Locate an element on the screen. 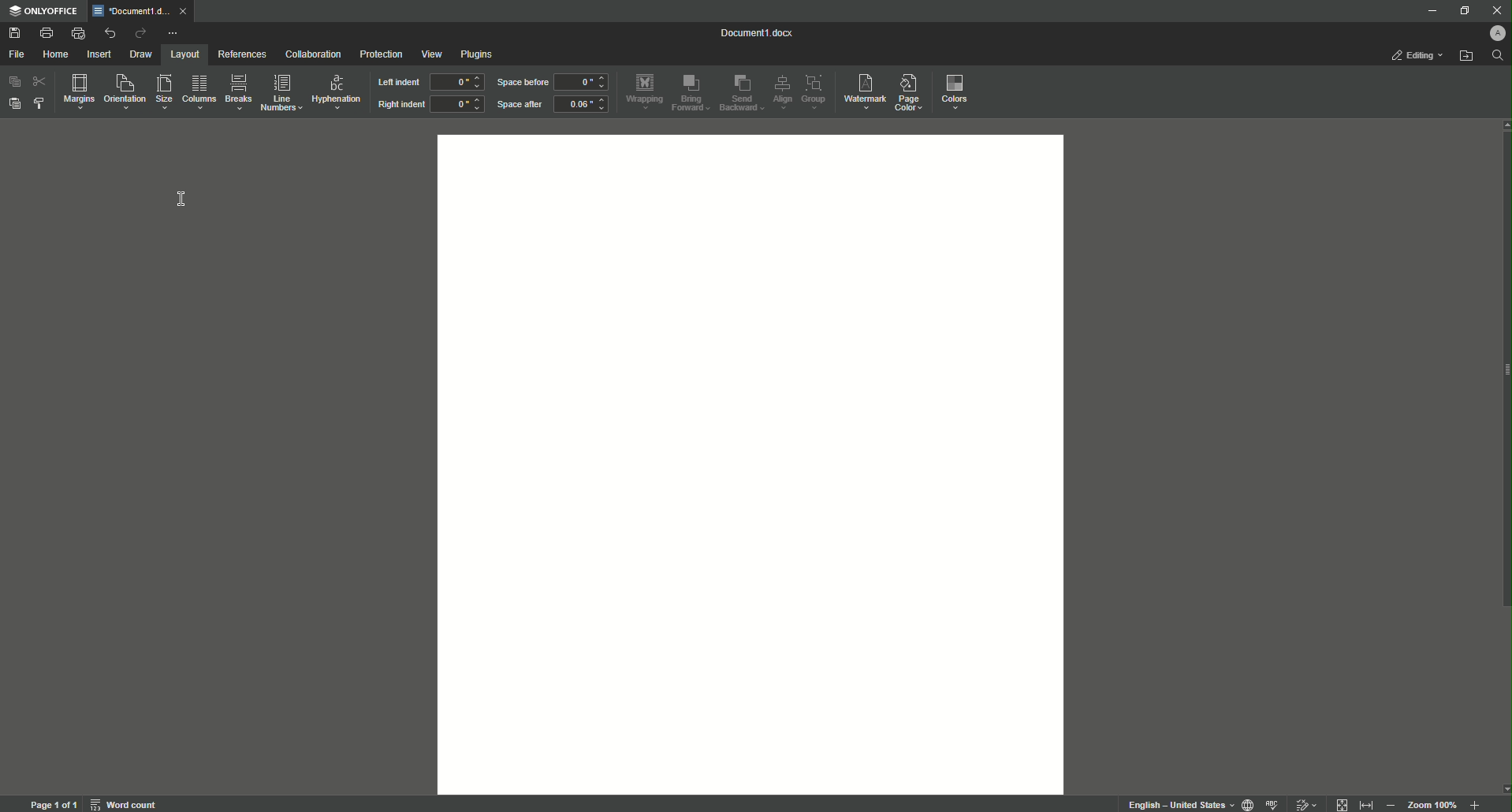  Spell Checking is located at coordinates (1274, 803).